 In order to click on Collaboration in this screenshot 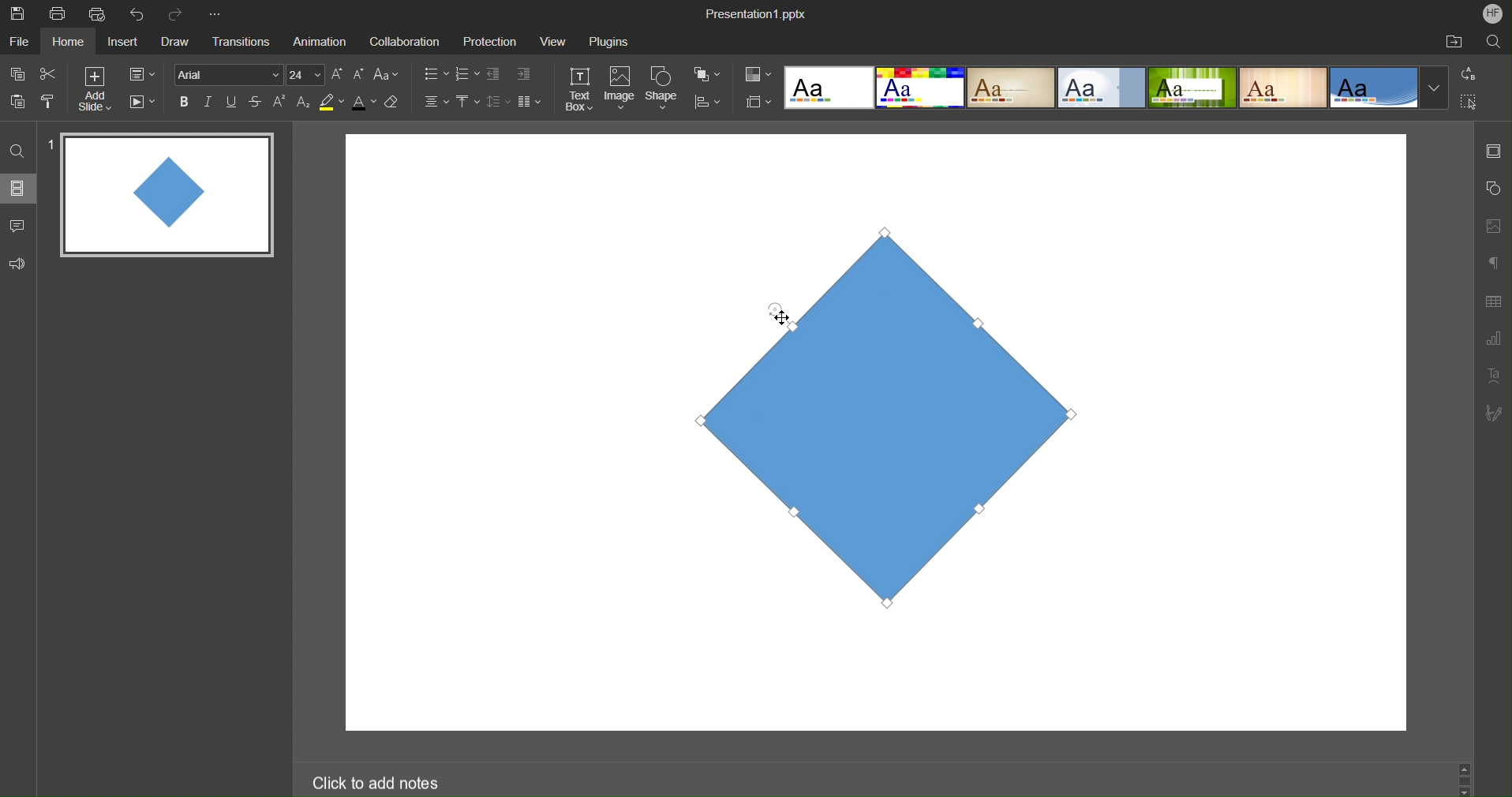, I will do `click(402, 39)`.